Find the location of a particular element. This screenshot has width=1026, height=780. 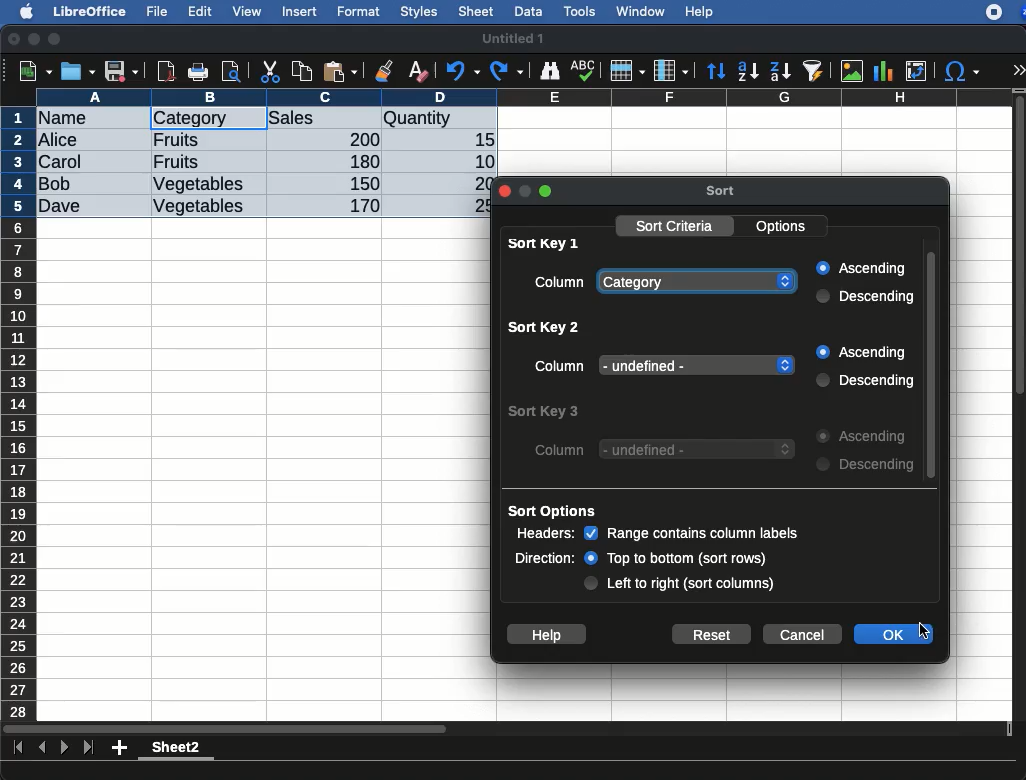

clone formatting is located at coordinates (384, 72).